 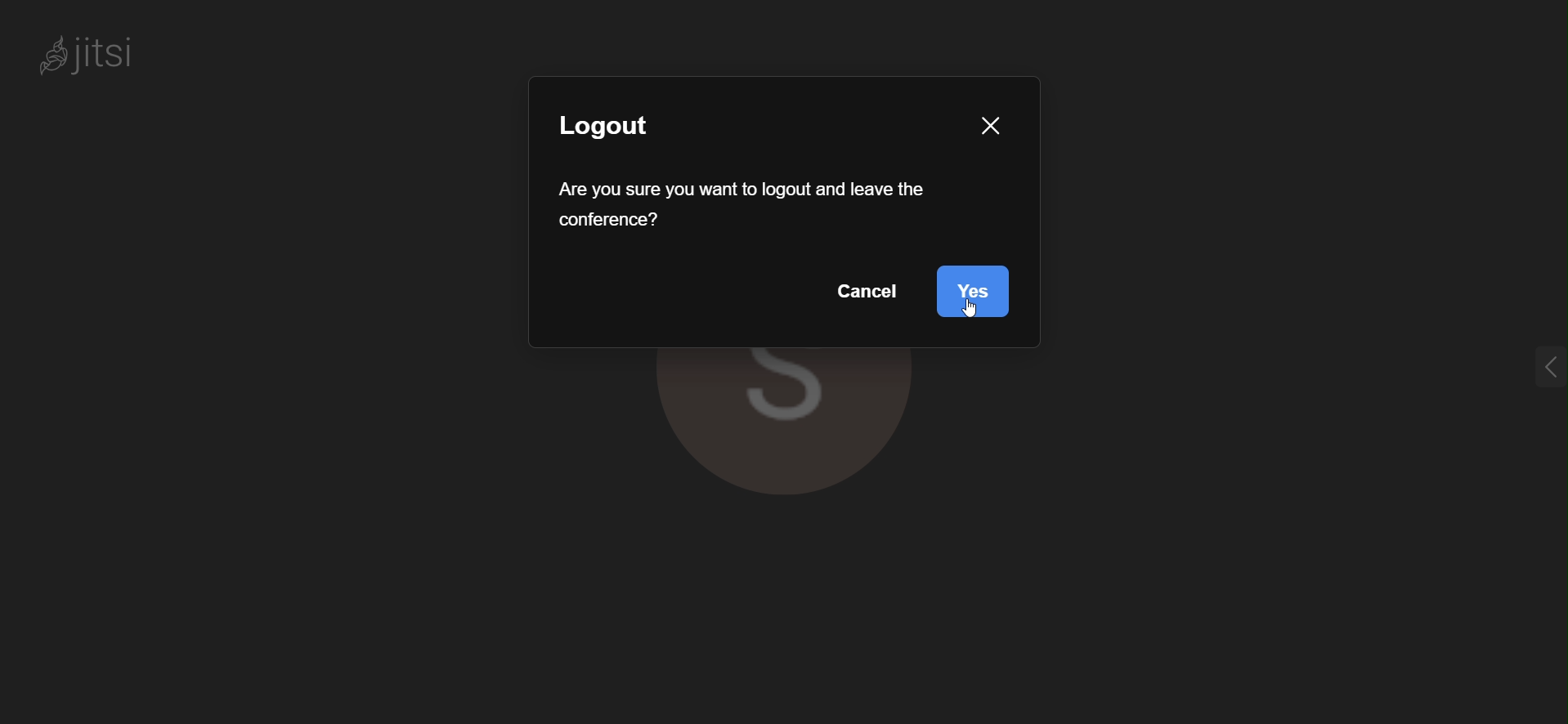 What do you see at coordinates (869, 297) in the screenshot?
I see `cancel` at bounding box center [869, 297].